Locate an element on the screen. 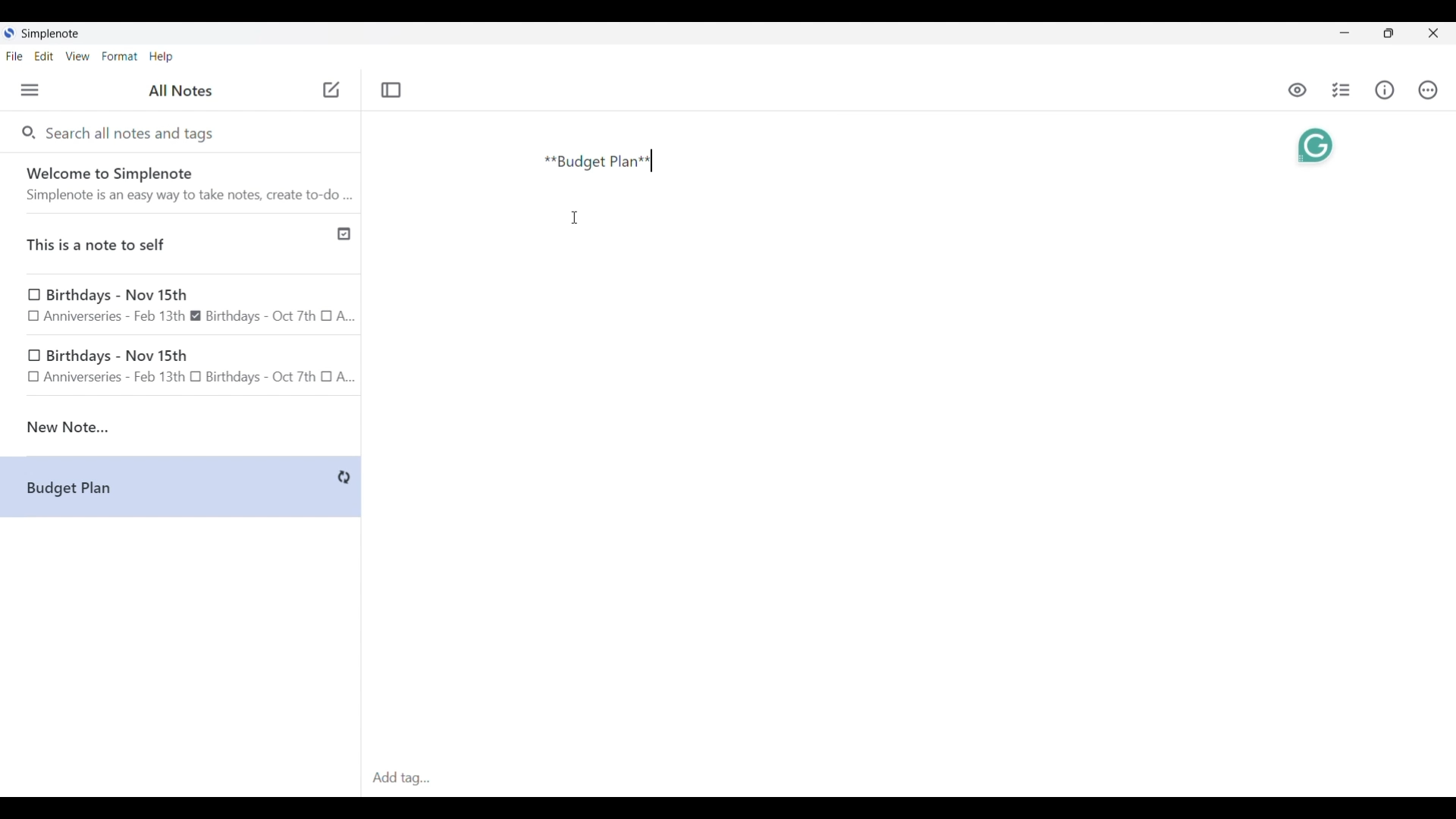 The height and width of the screenshot is (819, 1456). Edit menu is located at coordinates (45, 55).